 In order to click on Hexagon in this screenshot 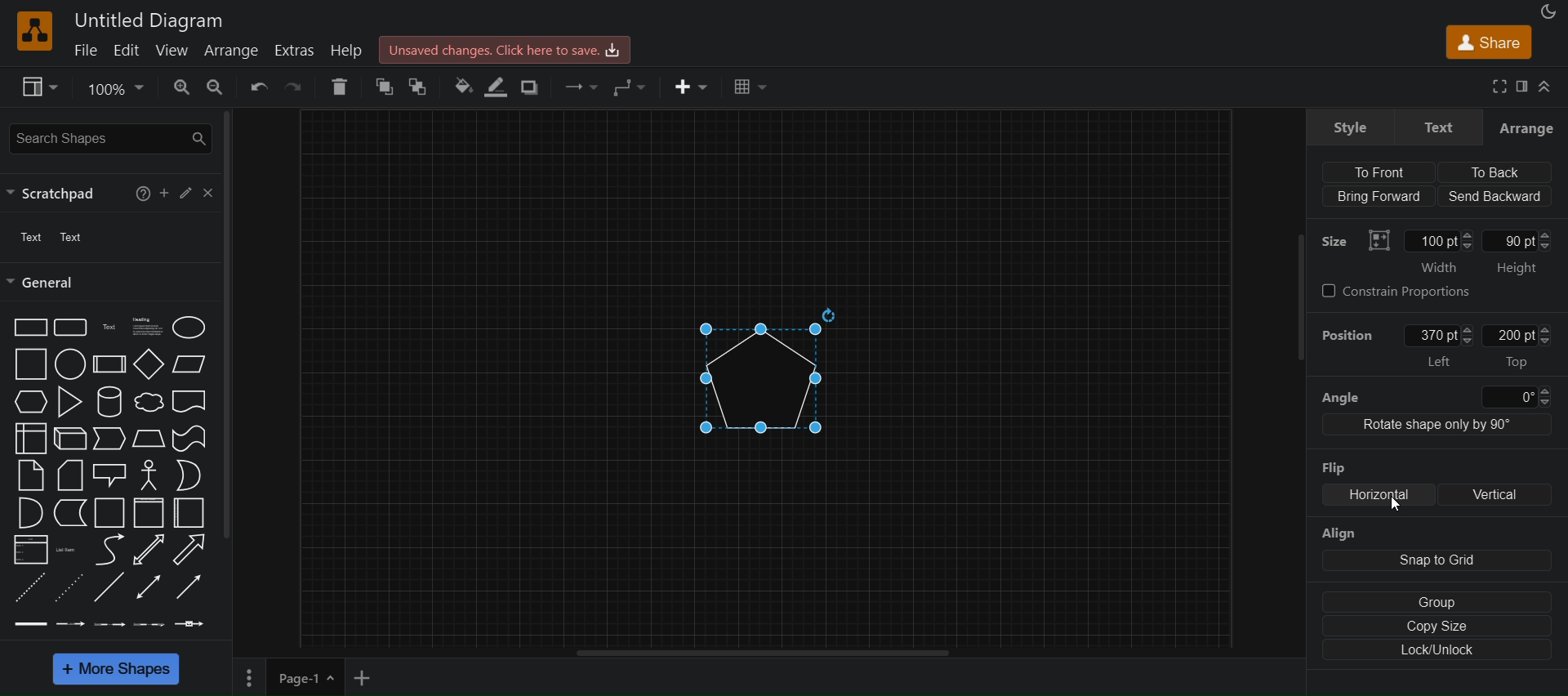, I will do `click(31, 402)`.